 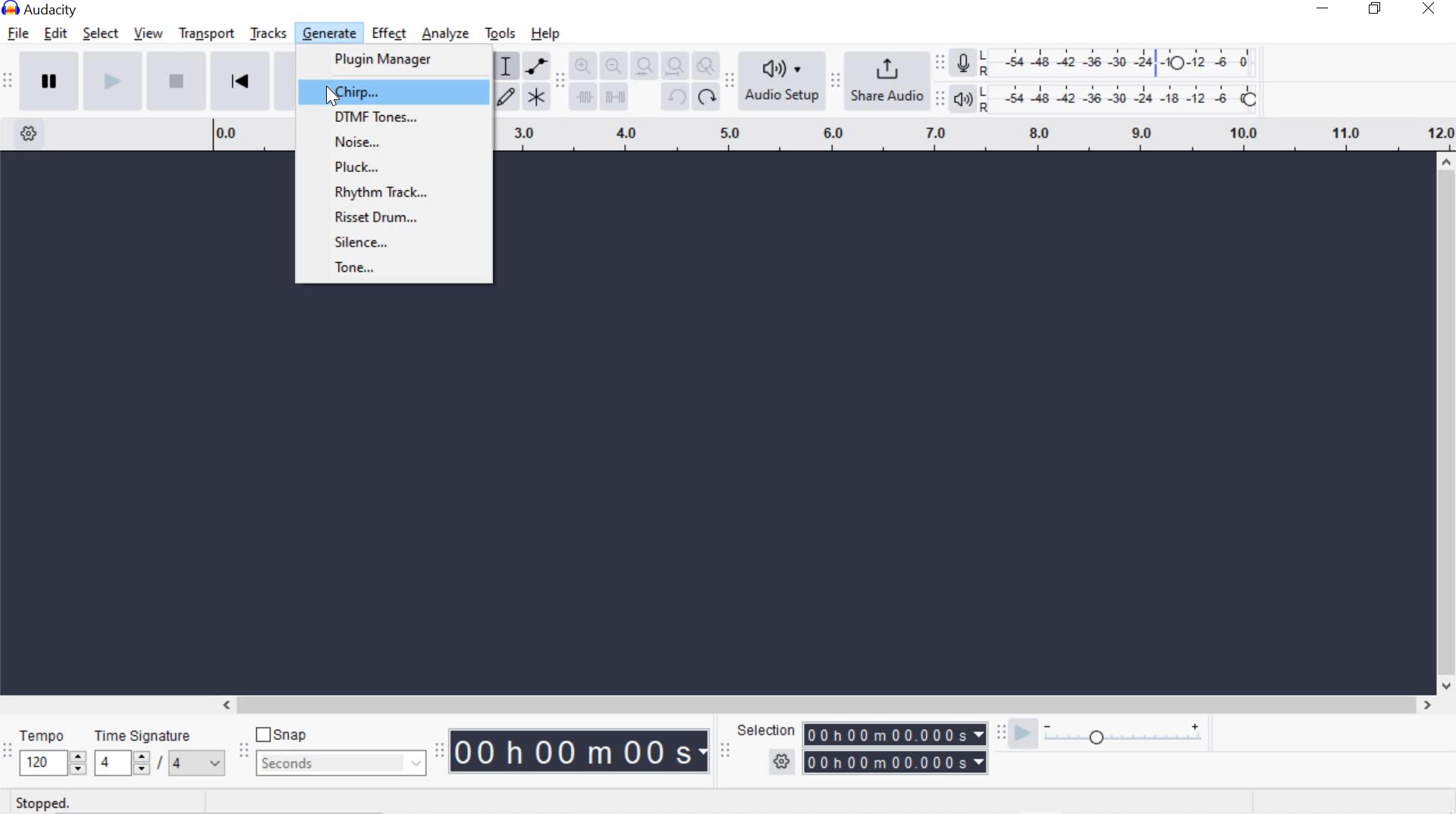 What do you see at coordinates (101, 34) in the screenshot?
I see `select` at bounding box center [101, 34].